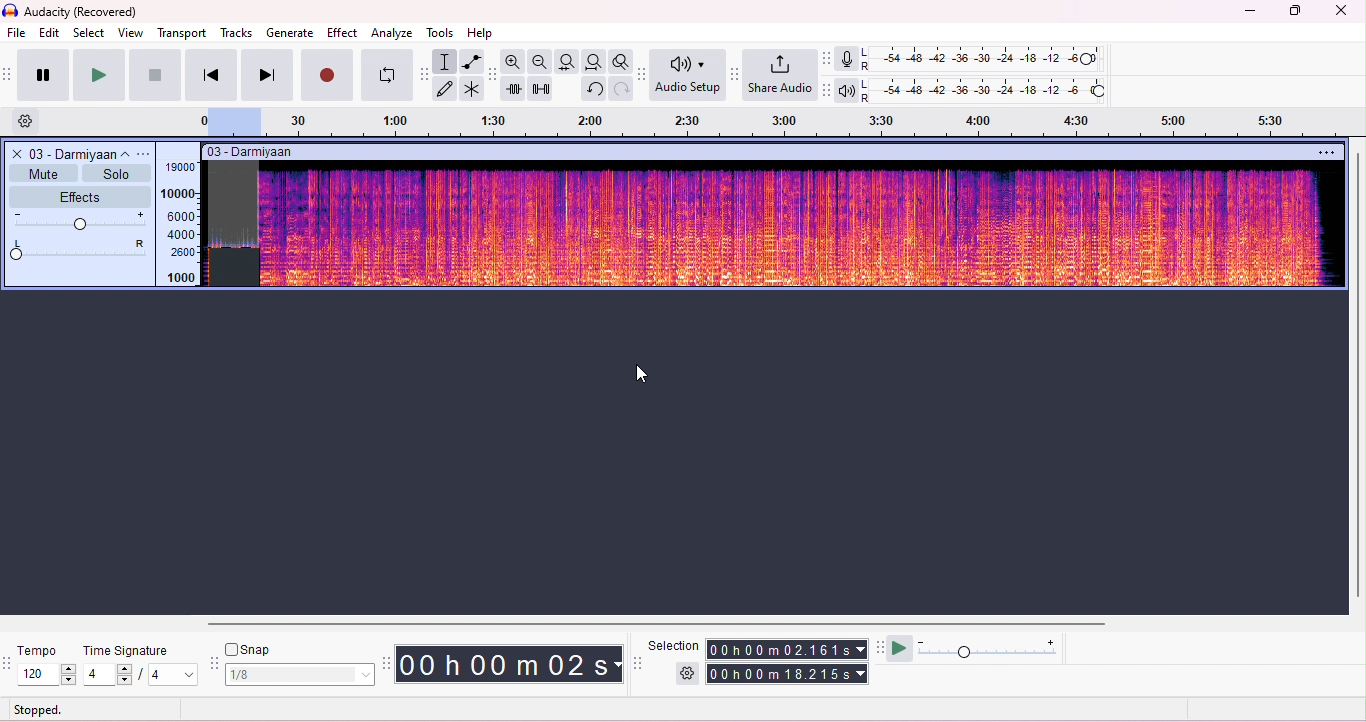 The image size is (1366, 722). What do you see at coordinates (78, 153) in the screenshot?
I see `track` at bounding box center [78, 153].